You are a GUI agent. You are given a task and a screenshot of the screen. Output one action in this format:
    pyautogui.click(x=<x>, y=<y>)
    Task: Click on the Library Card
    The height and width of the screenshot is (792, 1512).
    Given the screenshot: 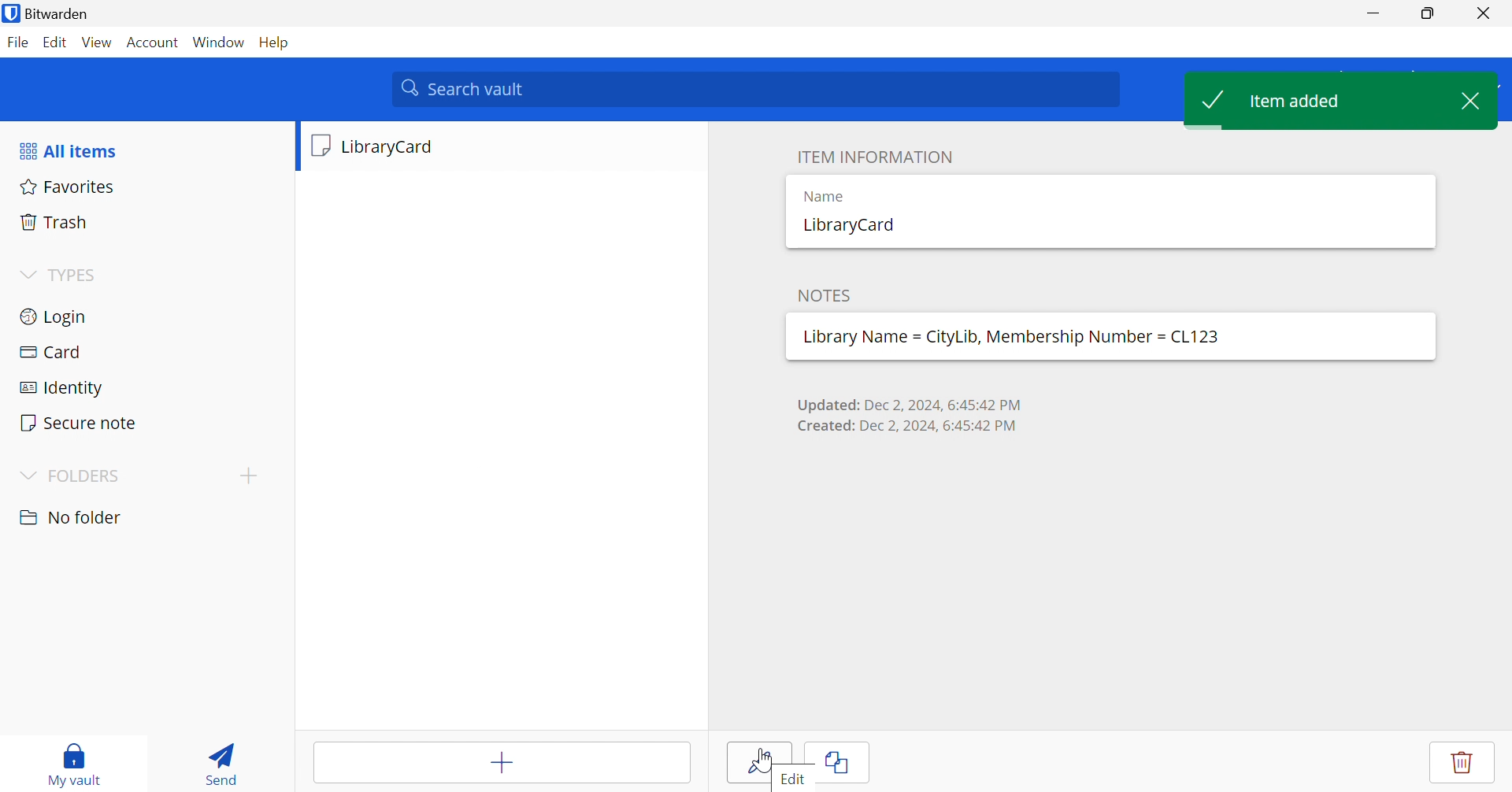 What is the action you would take?
    pyautogui.click(x=500, y=148)
    